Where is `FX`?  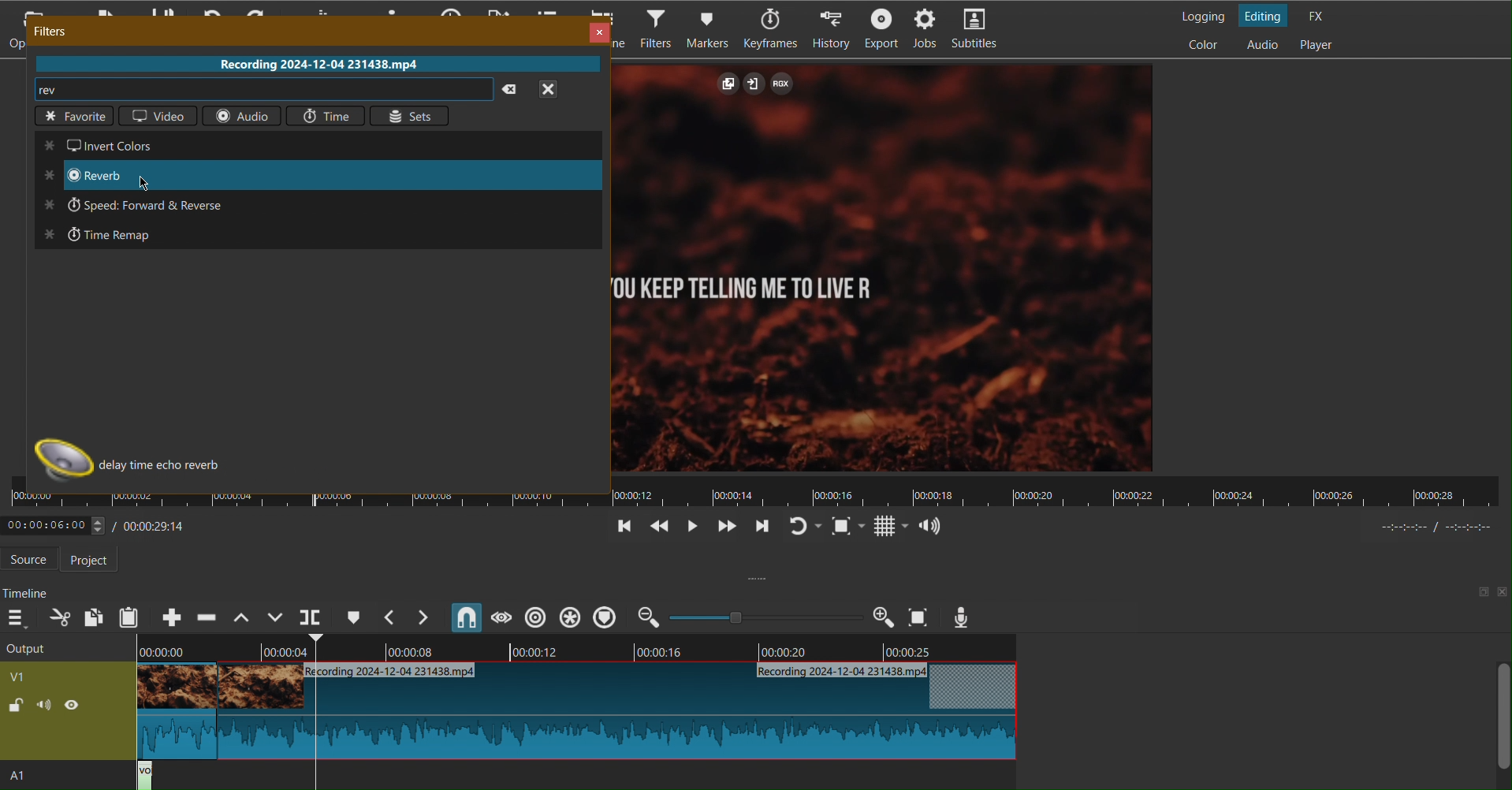 FX is located at coordinates (1320, 15).